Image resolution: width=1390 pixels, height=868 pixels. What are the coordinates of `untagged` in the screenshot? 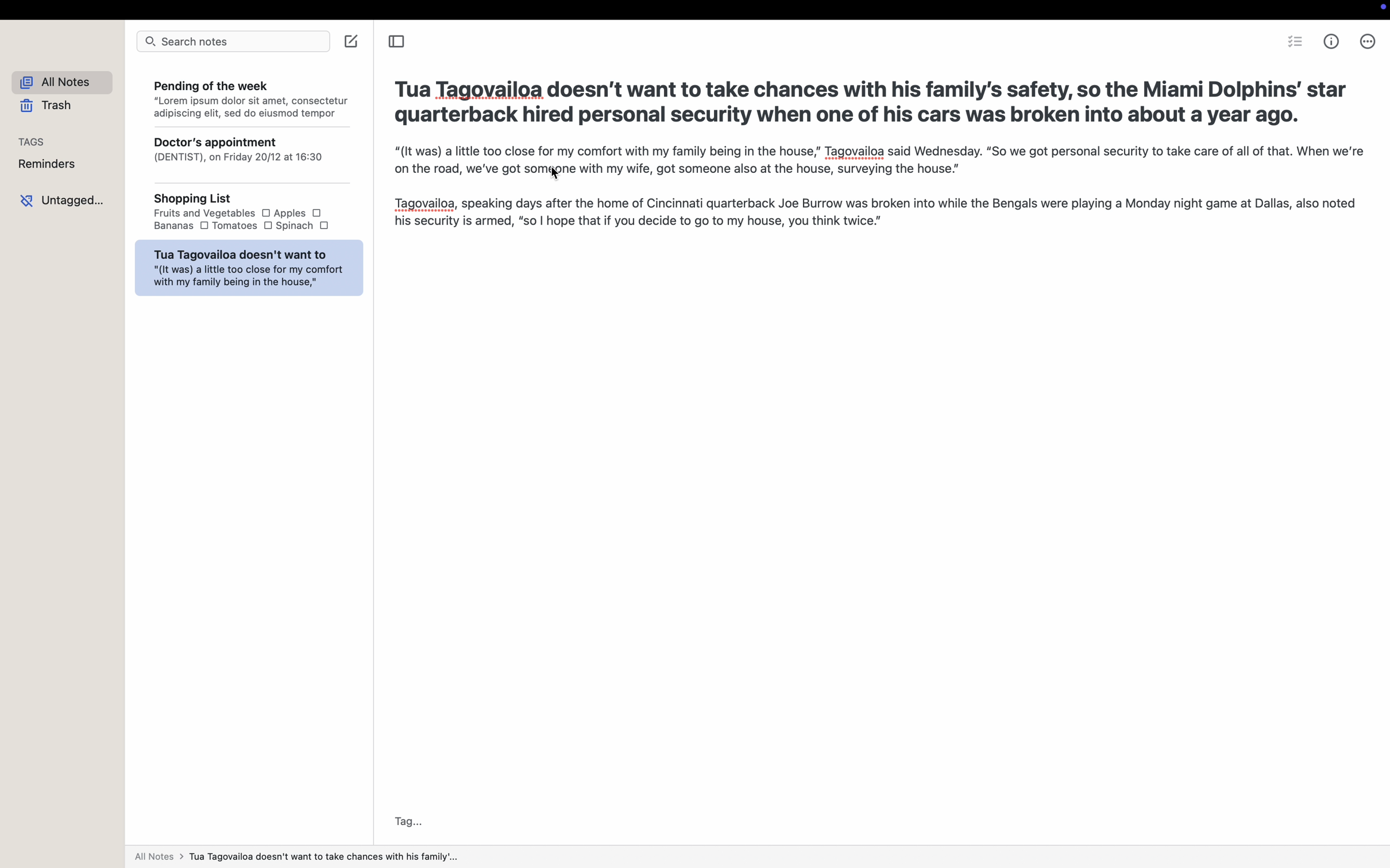 It's located at (63, 200).